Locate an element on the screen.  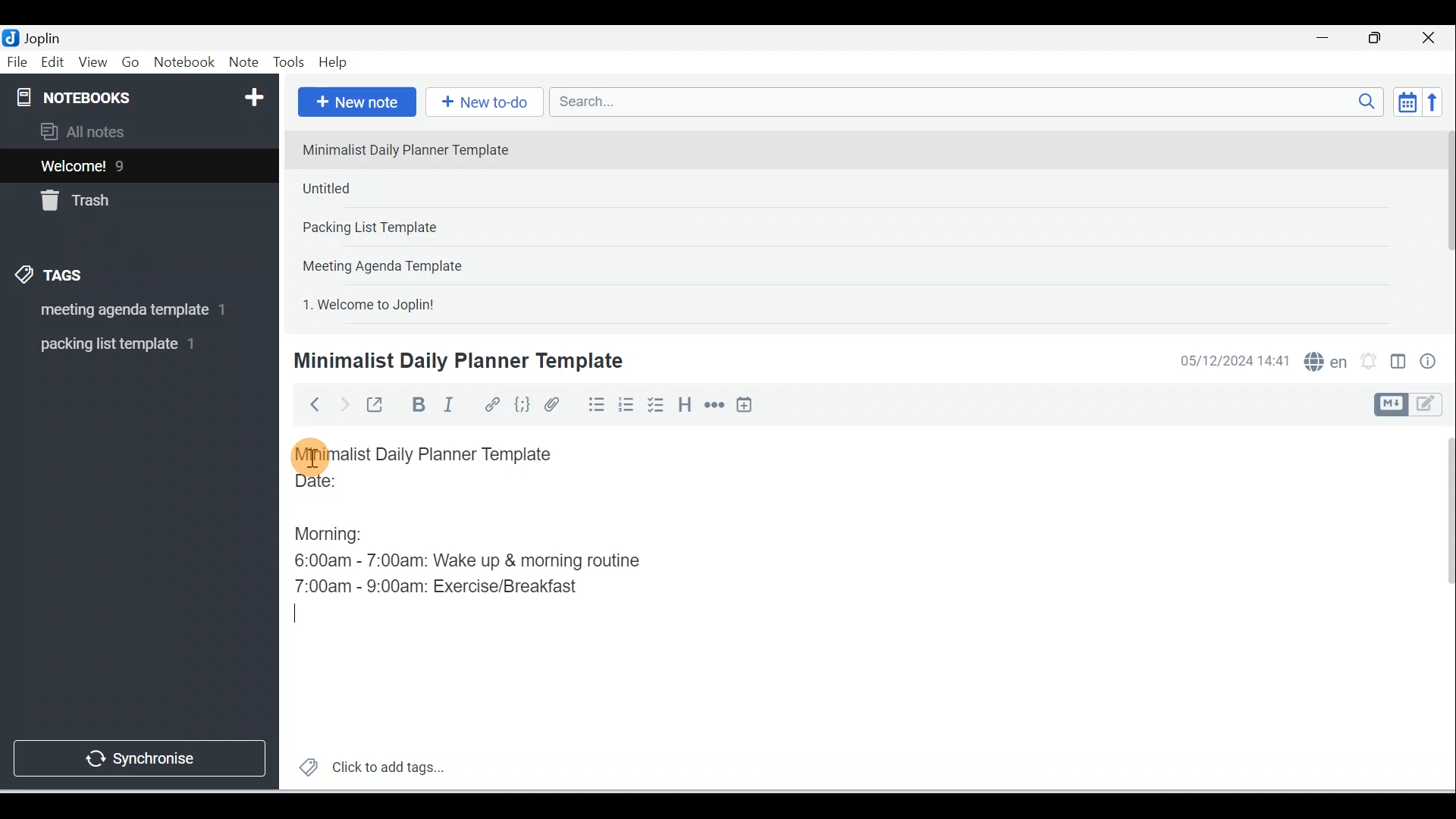
Note properties is located at coordinates (1429, 363).